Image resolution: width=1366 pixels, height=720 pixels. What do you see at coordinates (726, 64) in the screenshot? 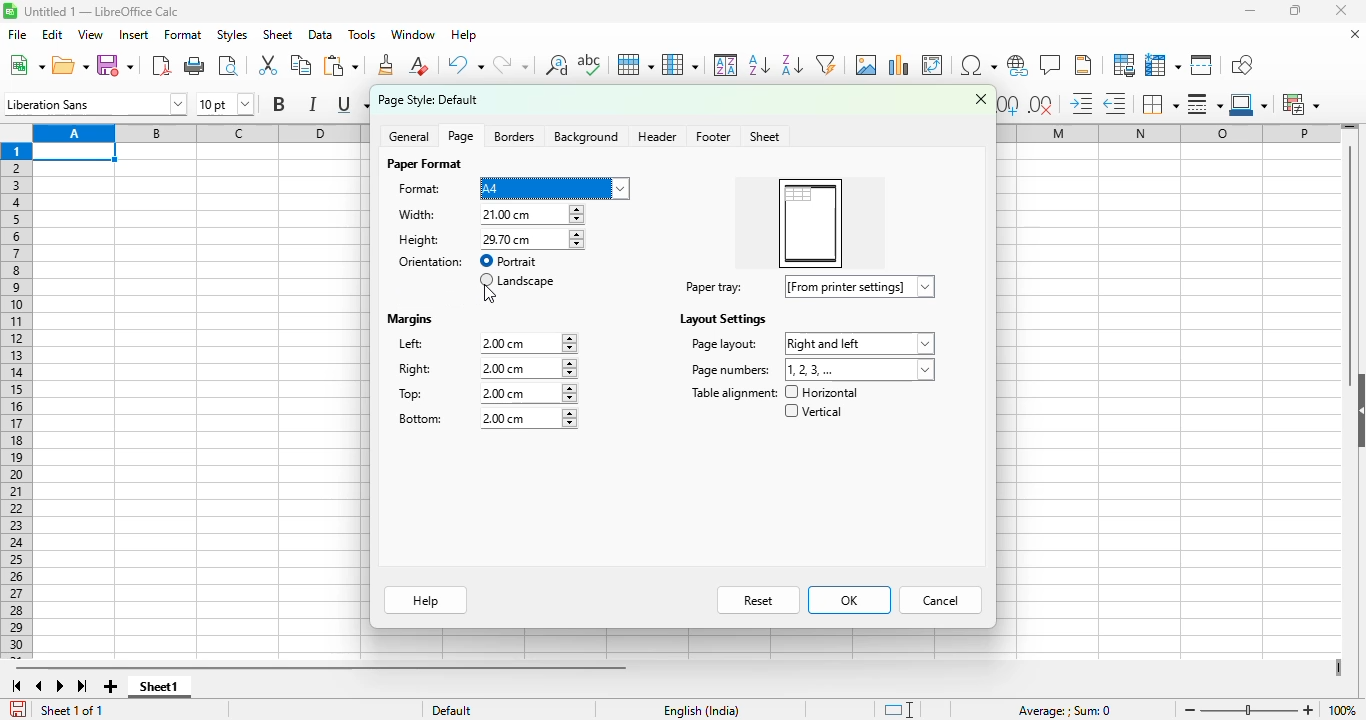
I see `sort` at bounding box center [726, 64].